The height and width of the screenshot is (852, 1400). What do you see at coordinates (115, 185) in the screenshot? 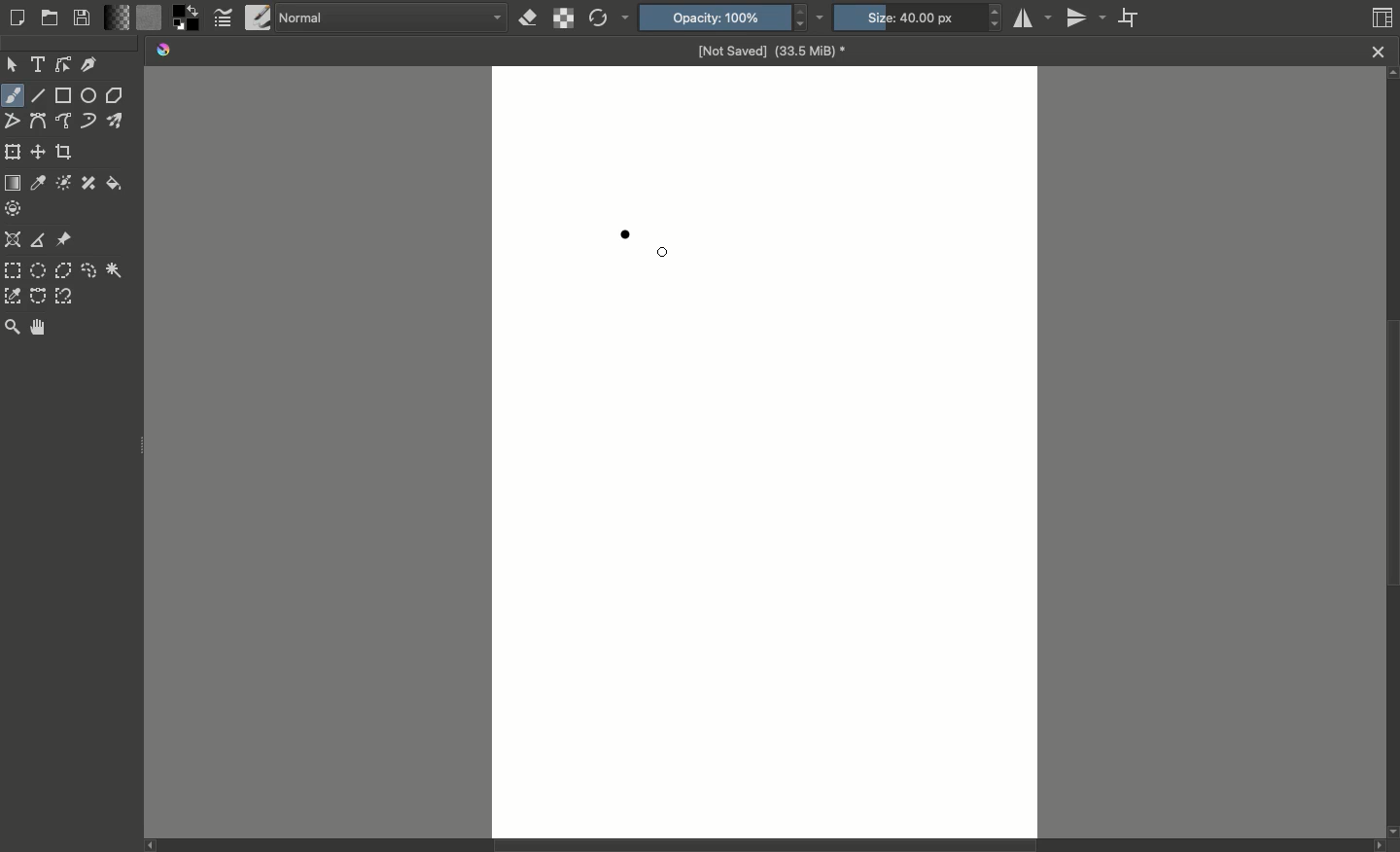
I see `Fil` at bounding box center [115, 185].